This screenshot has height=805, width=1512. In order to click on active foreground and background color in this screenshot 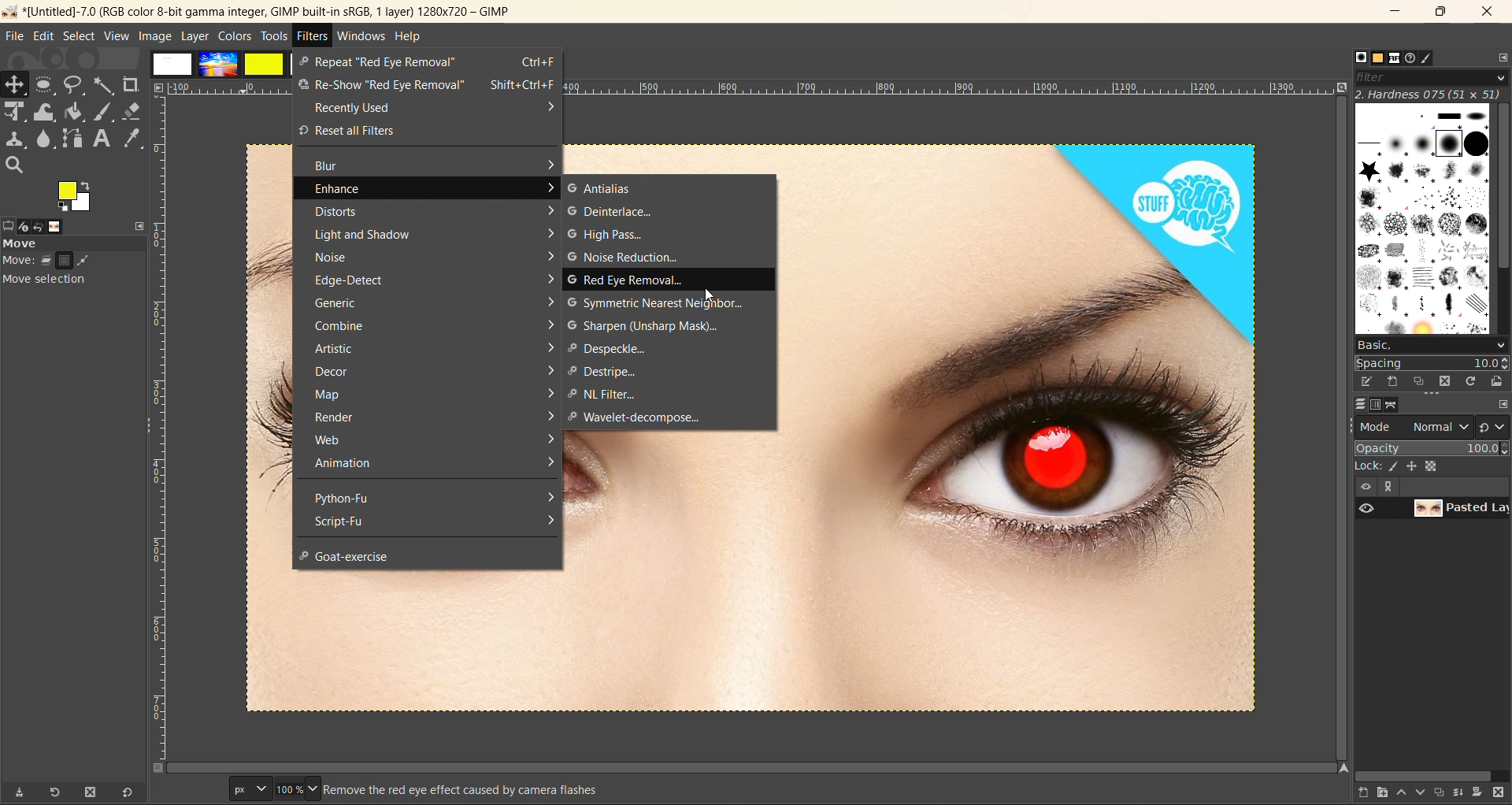, I will do `click(76, 196)`.